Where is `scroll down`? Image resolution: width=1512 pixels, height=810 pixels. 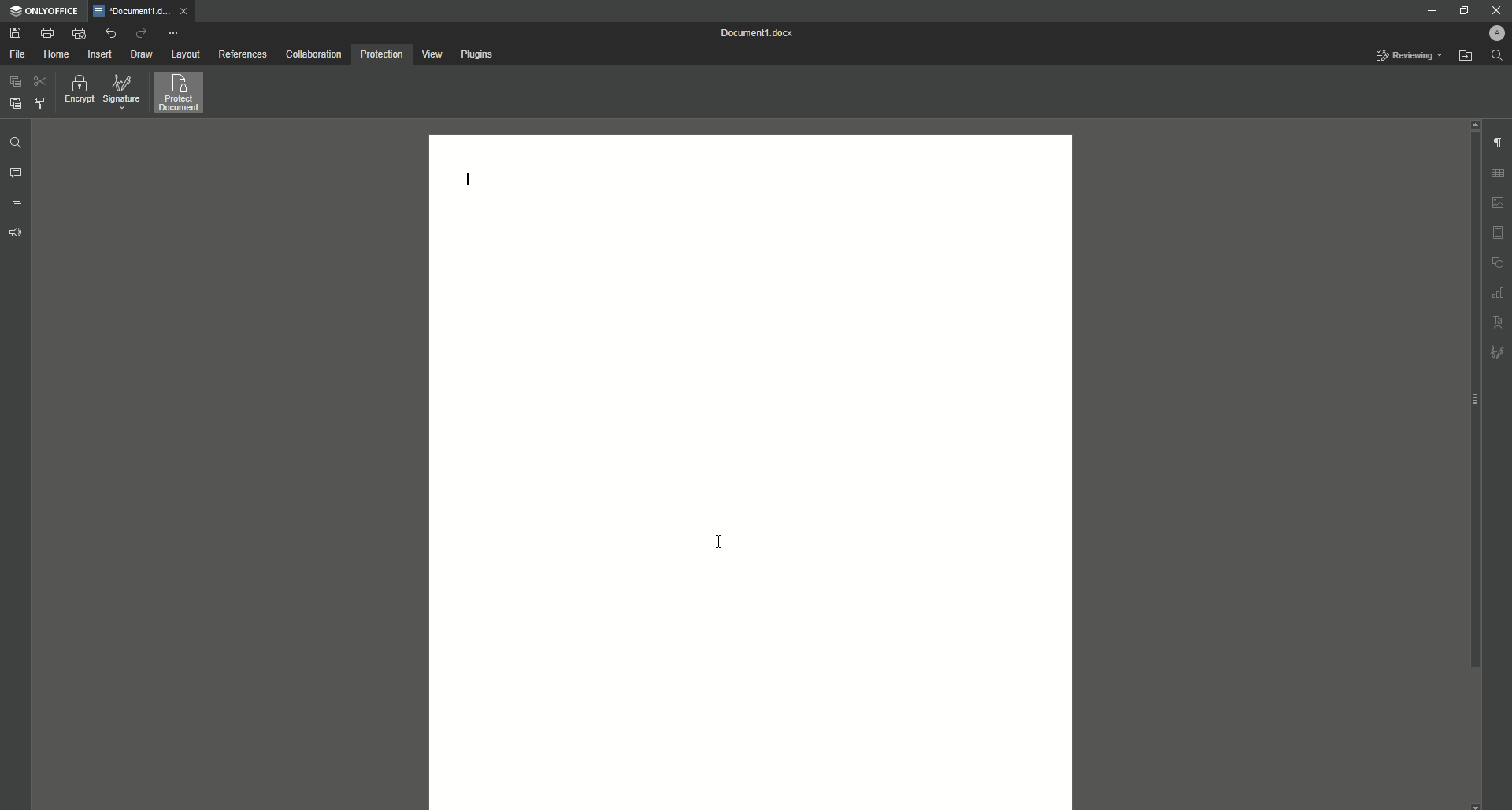 scroll down is located at coordinates (1473, 804).